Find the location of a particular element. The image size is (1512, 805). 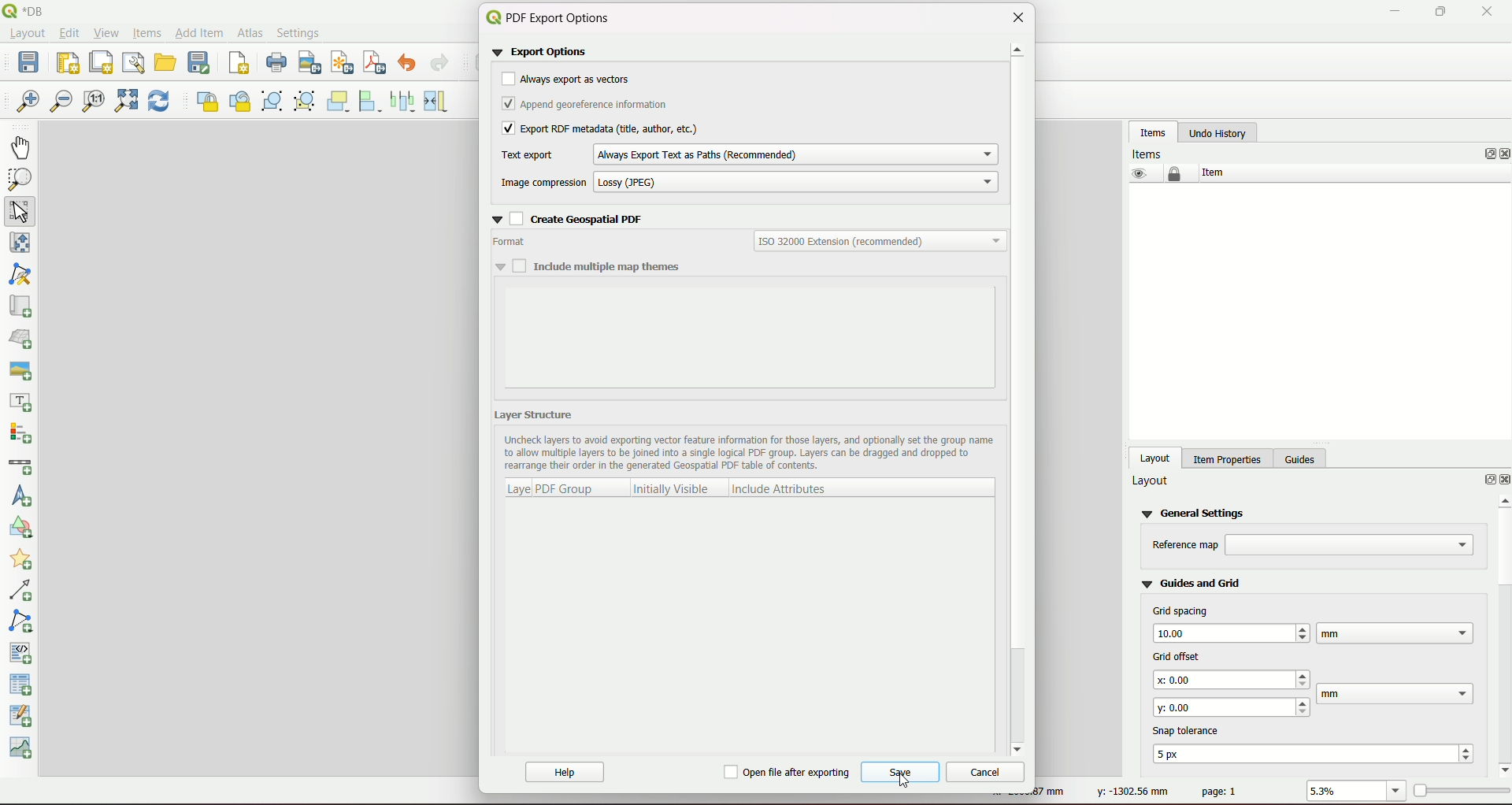

Include multiple map themes is located at coordinates (608, 266).